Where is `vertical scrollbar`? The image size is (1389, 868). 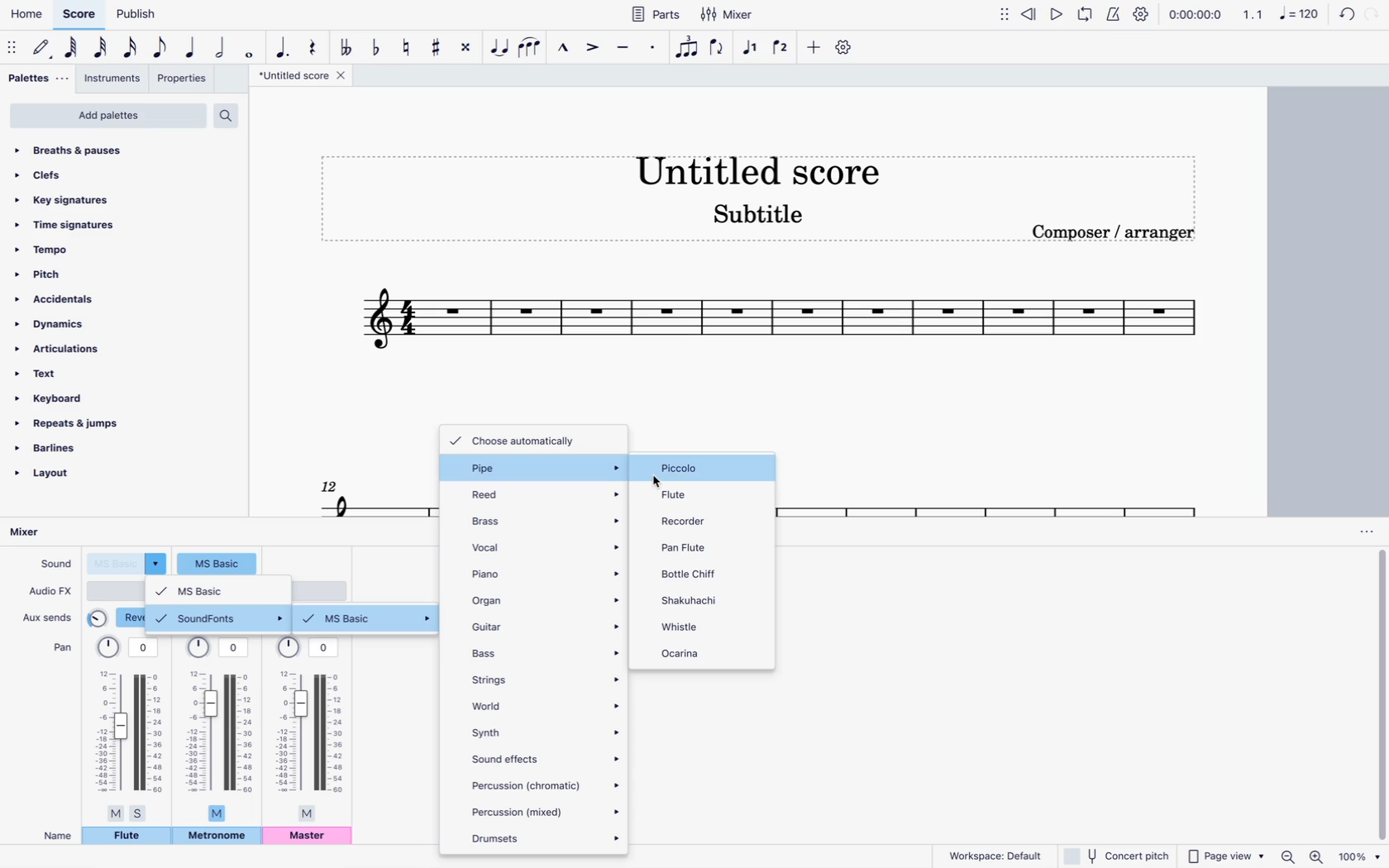 vertical scrollbar is located at coordinates (1381, 695).